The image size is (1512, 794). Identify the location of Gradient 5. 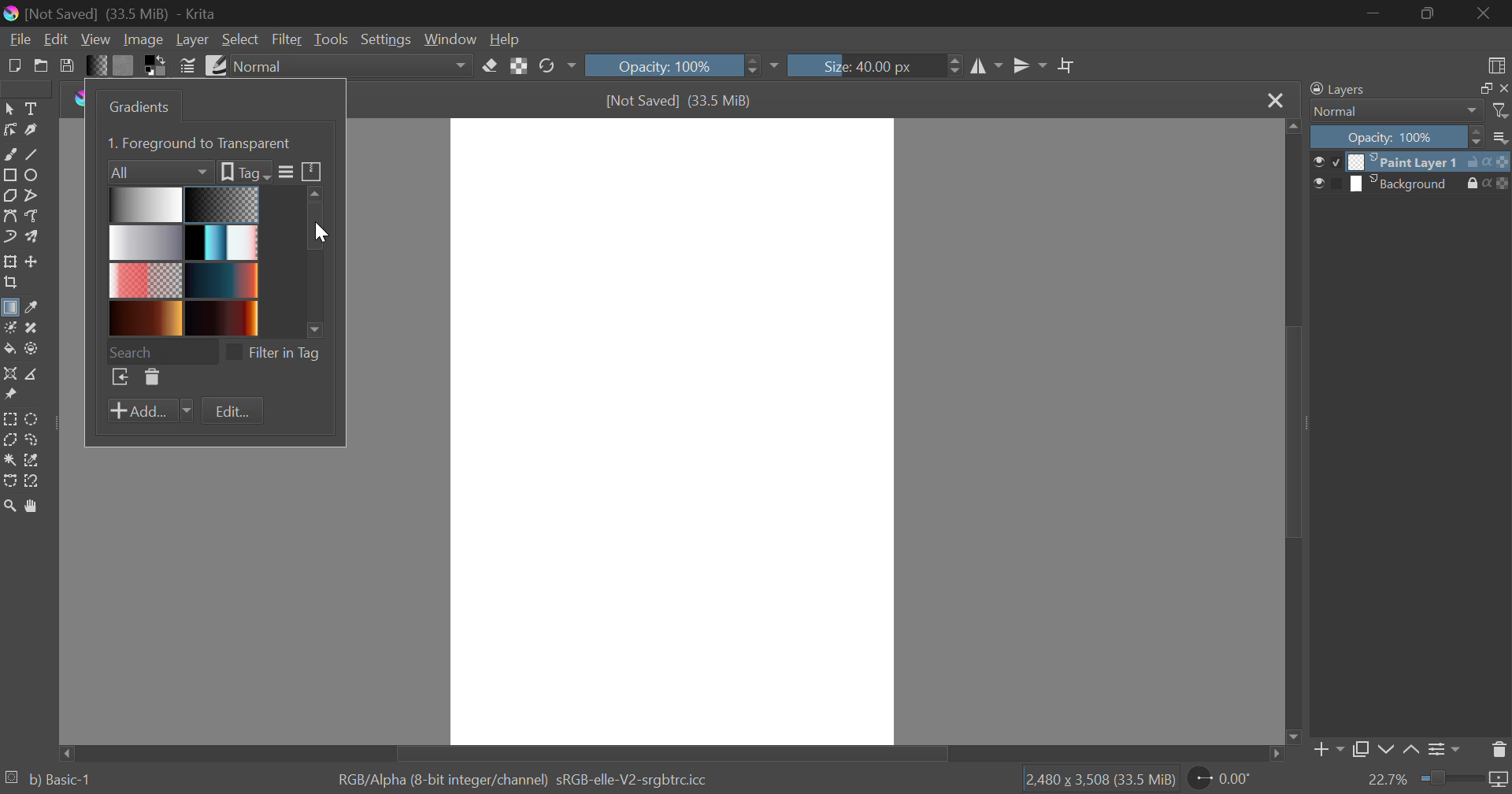
(146, 280).